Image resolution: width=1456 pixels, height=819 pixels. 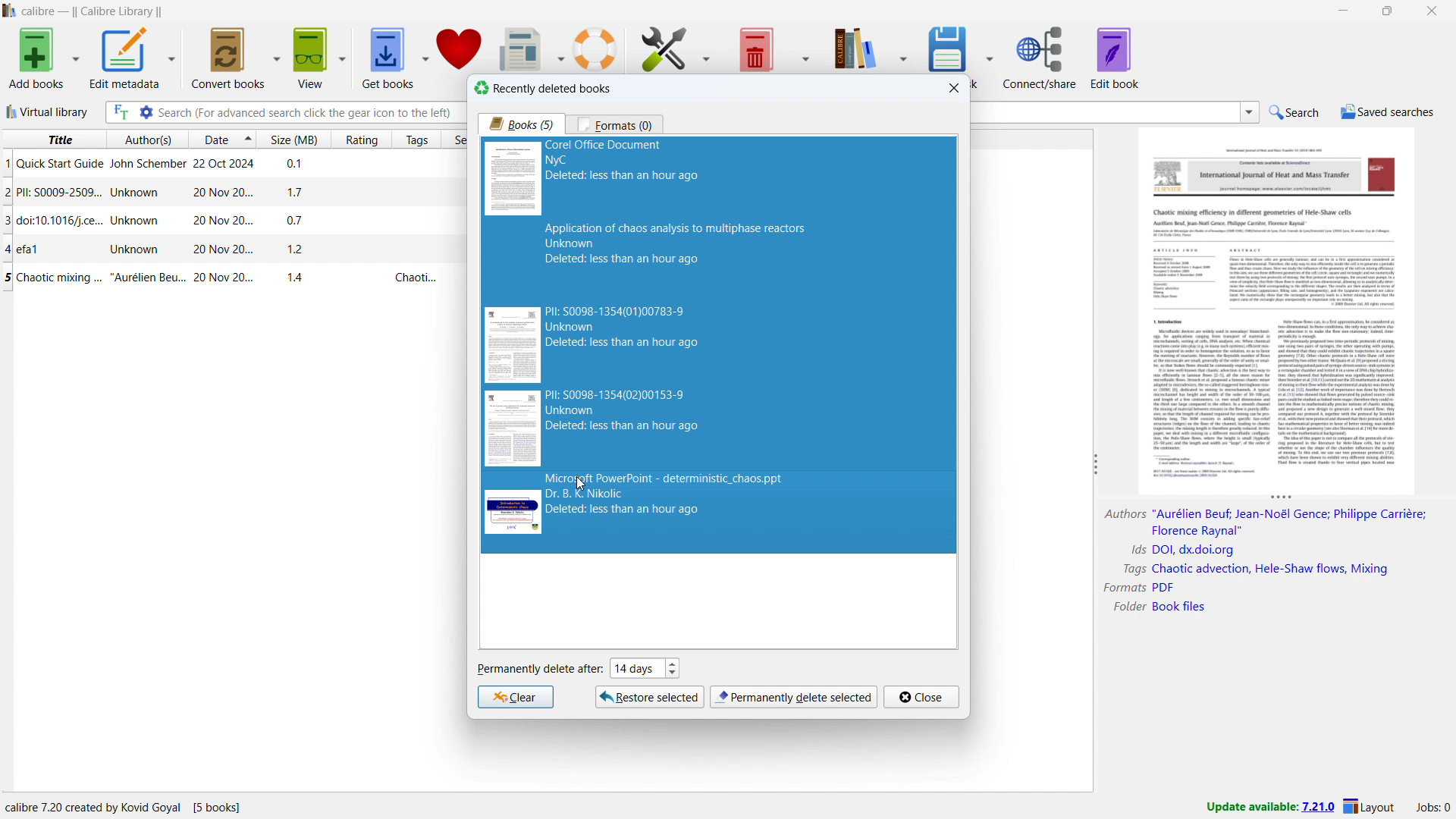 I want to click on permanently delete selection, so click(x=793, y=698).